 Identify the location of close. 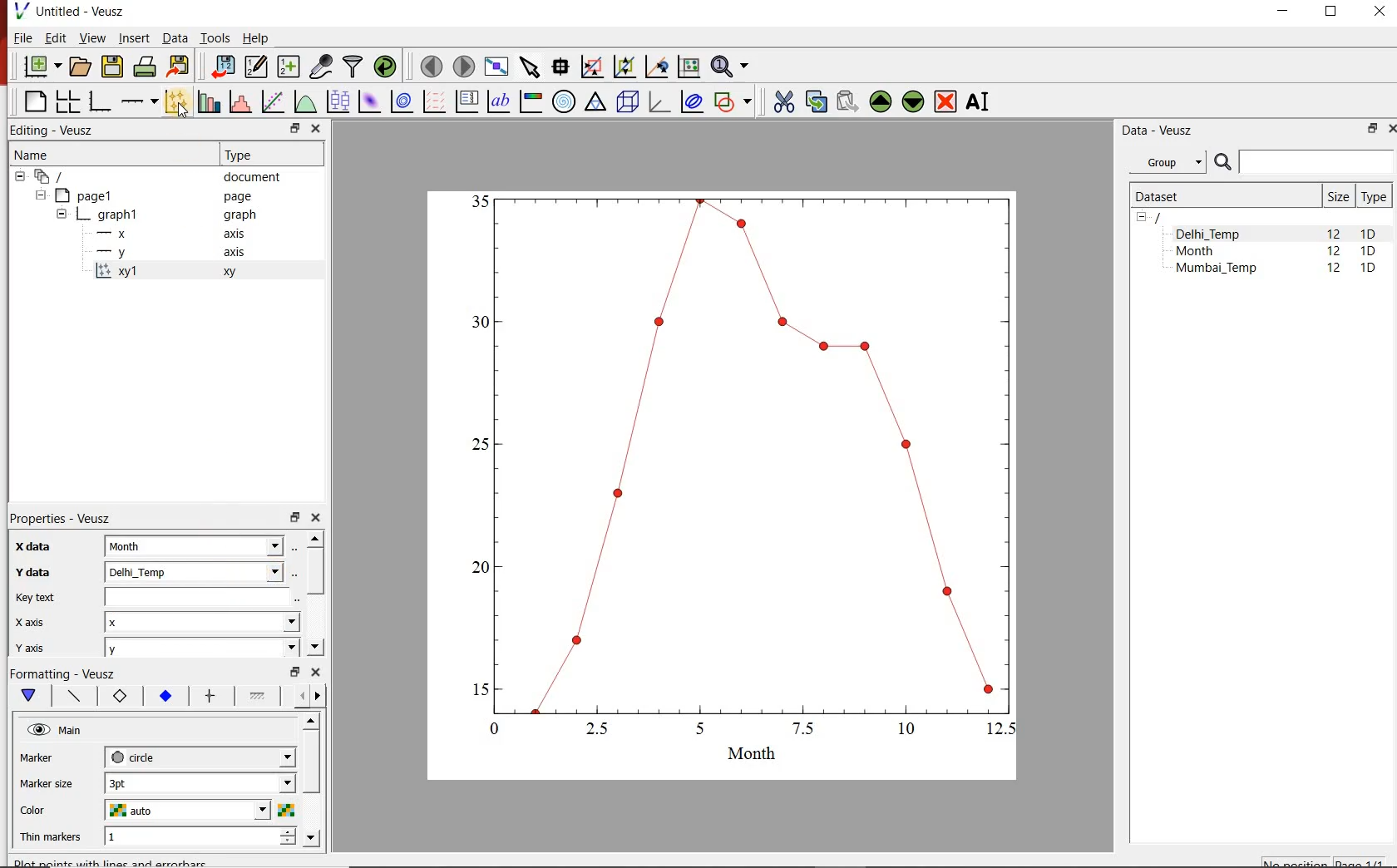
(315, 672).